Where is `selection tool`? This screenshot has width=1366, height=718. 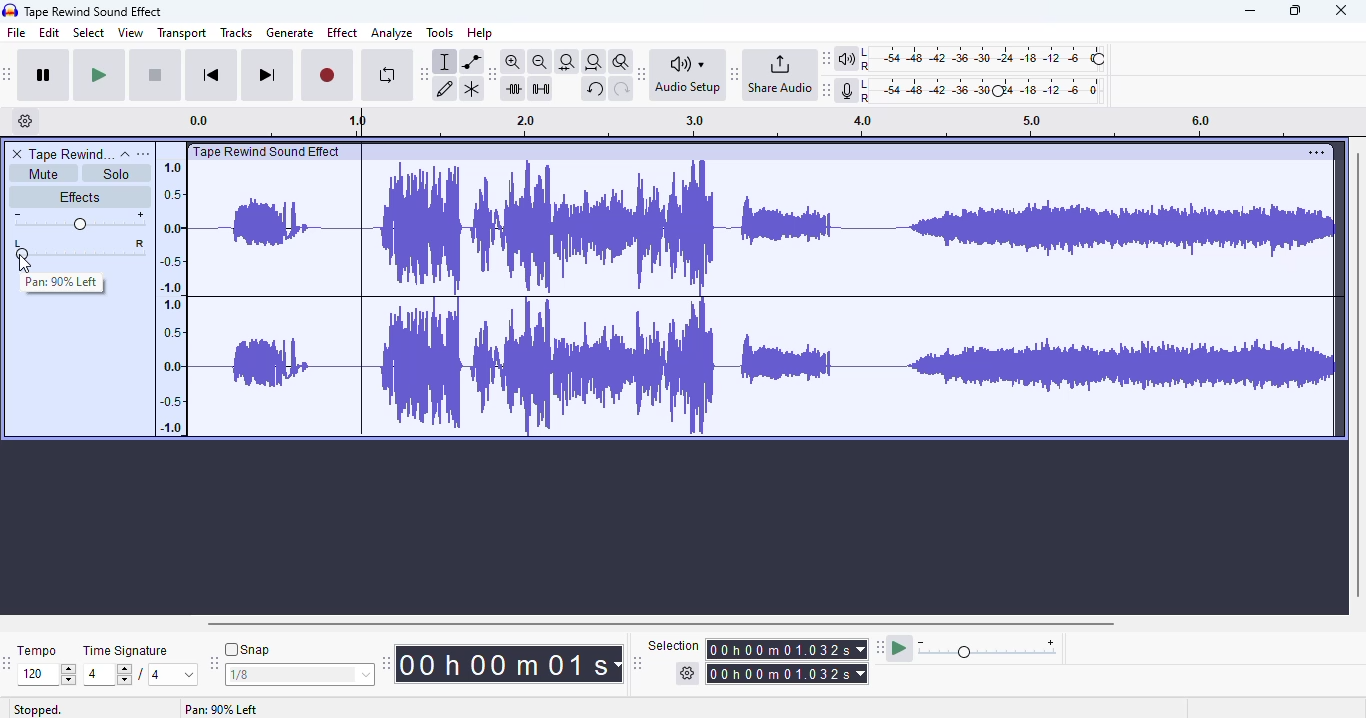 selection tool is located at coordinates (445, 62).